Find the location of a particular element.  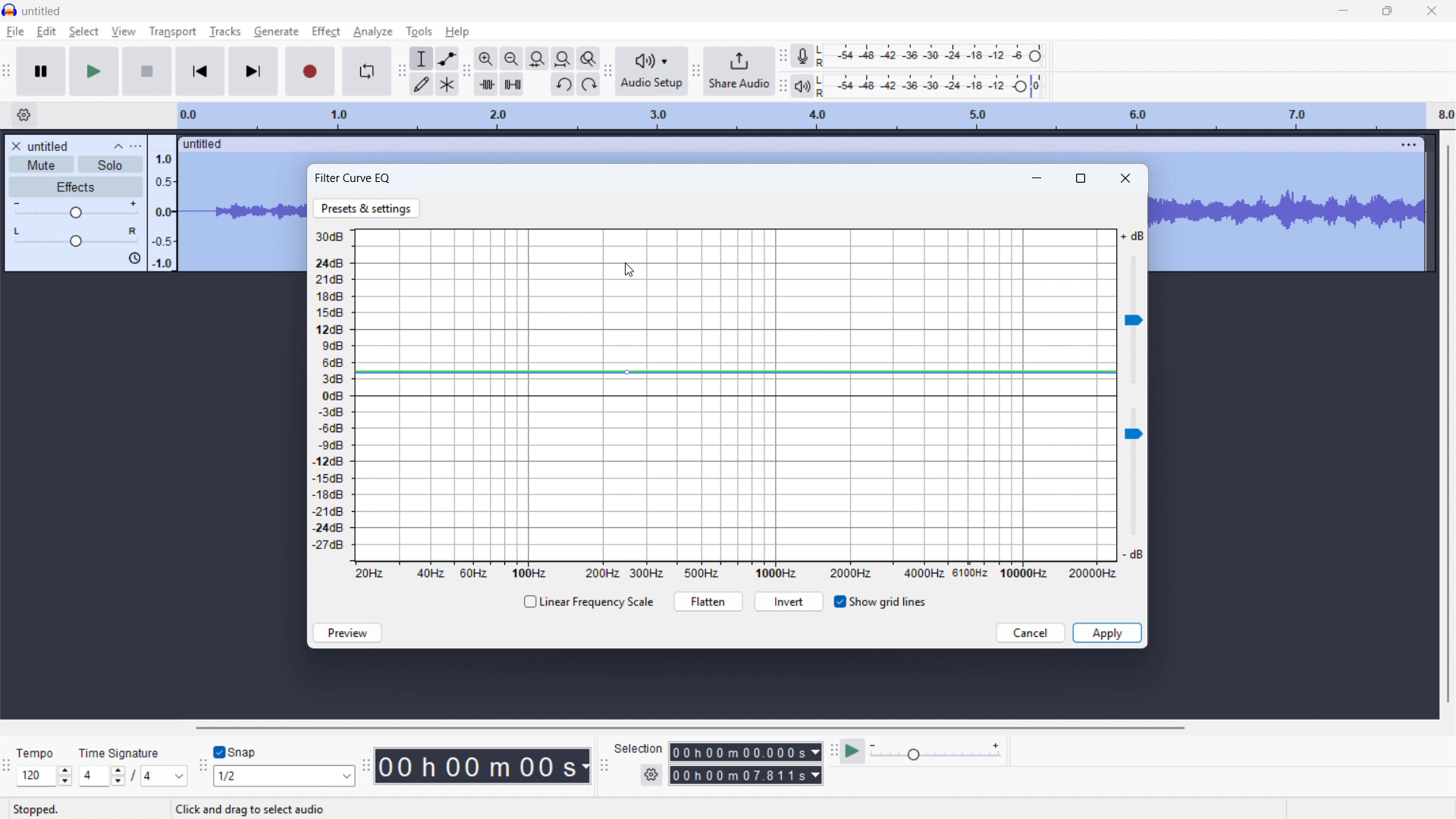

Recording metre  is located at coordinates (803, 56).